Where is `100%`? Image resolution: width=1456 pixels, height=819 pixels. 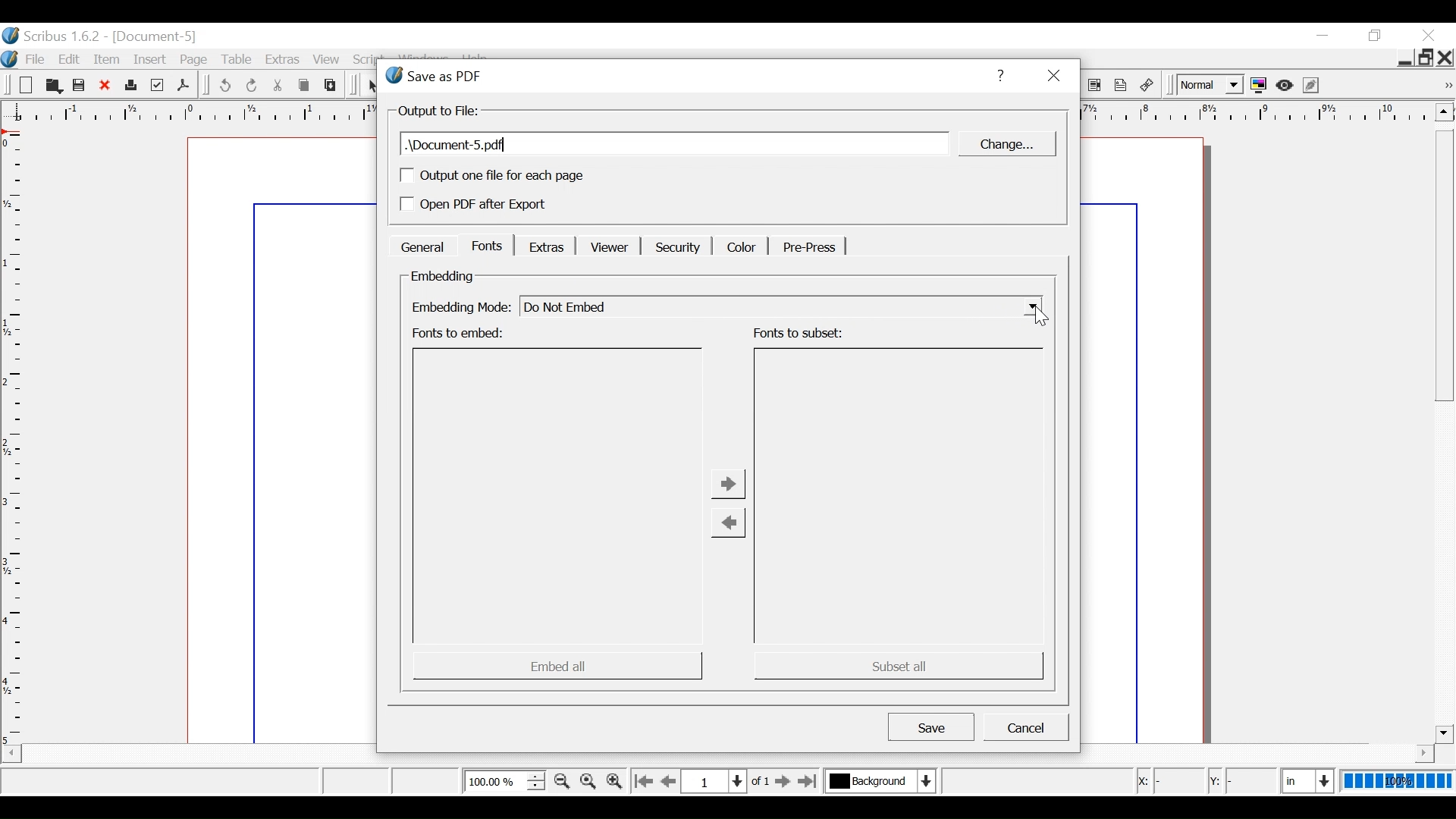 100% is located at coordinates (1398, 780).